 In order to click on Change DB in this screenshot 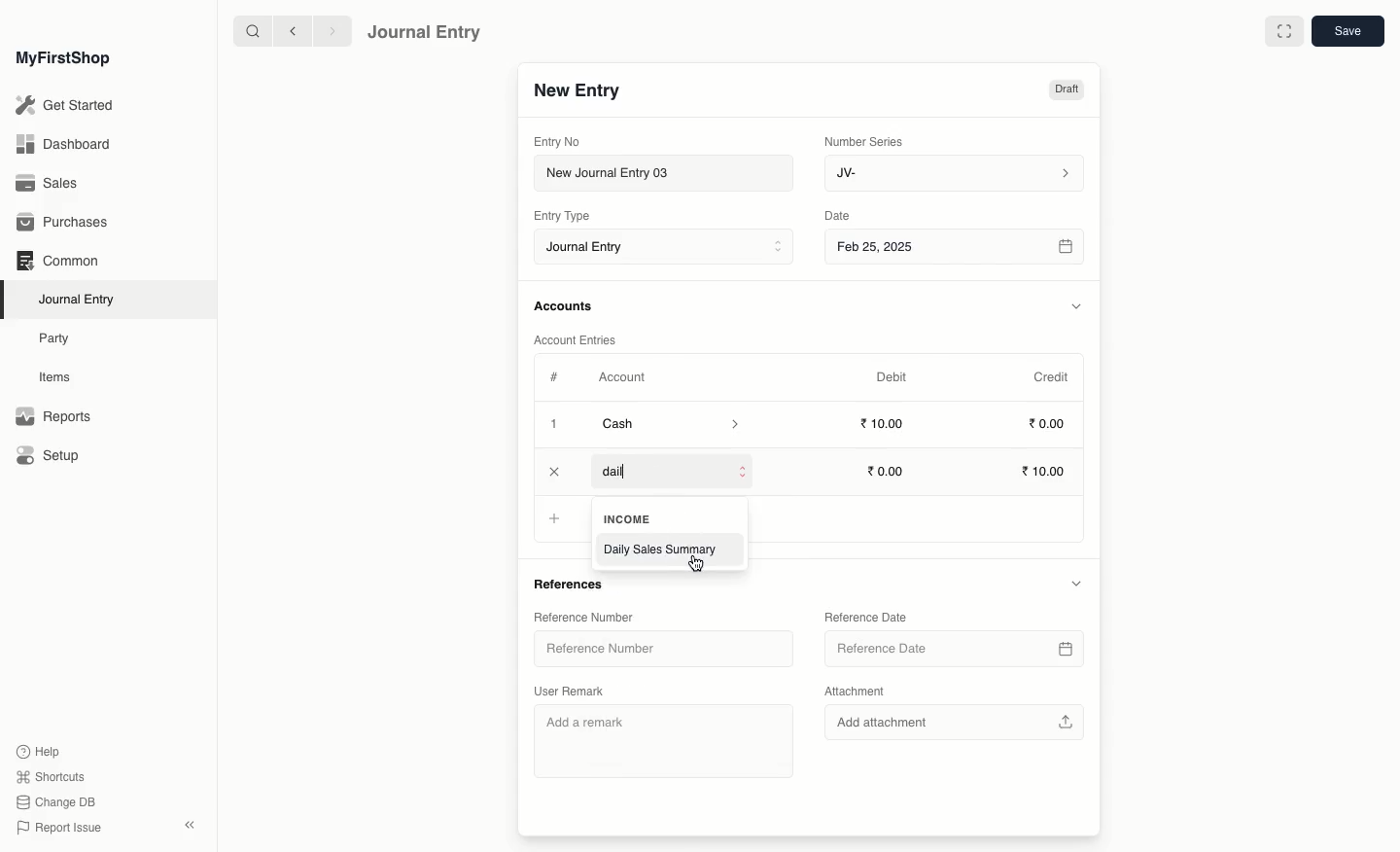, I will do `click(56, 803)`.